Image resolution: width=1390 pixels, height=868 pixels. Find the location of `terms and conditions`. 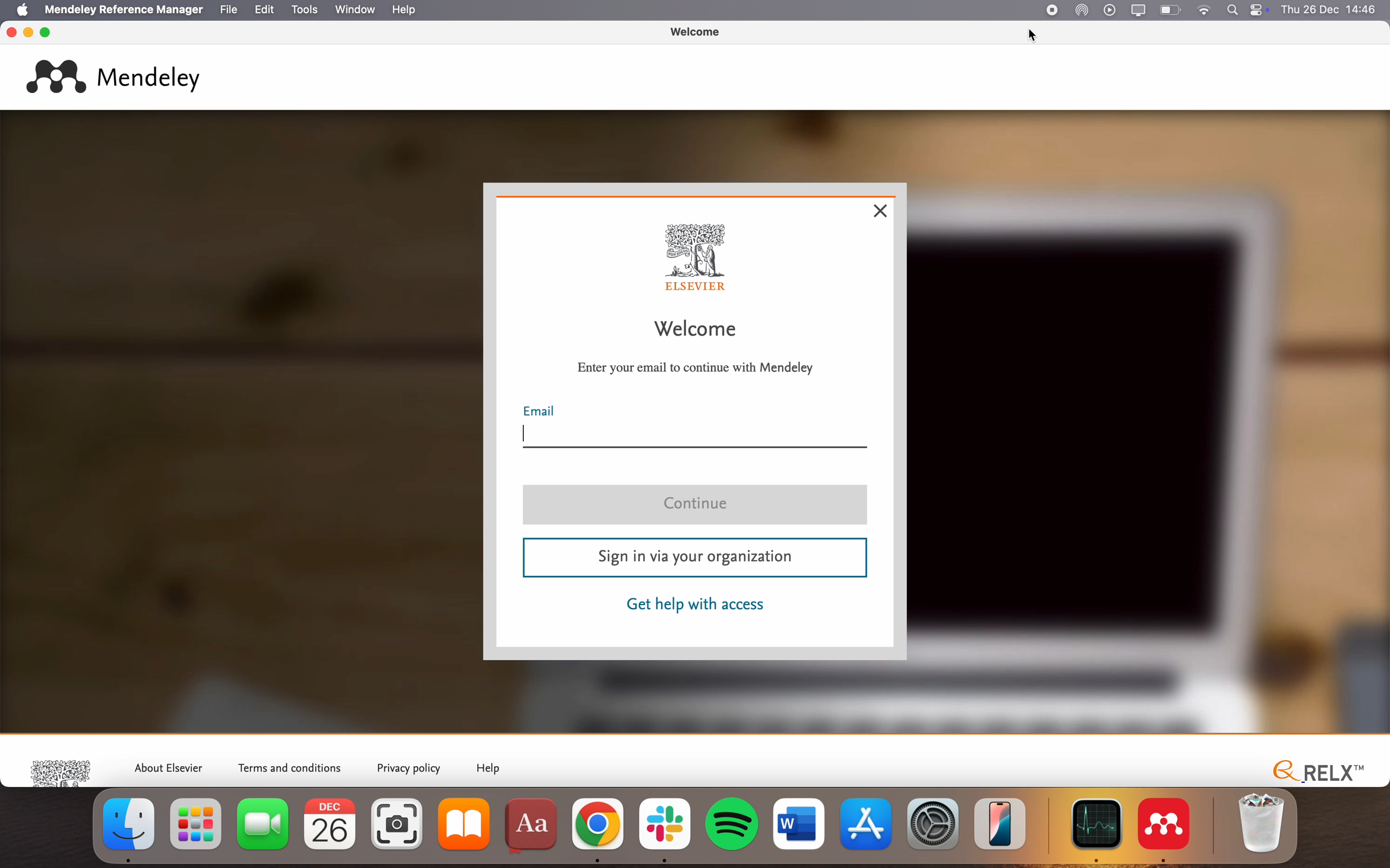

terms and conditions is located at coordinates (292, 766).